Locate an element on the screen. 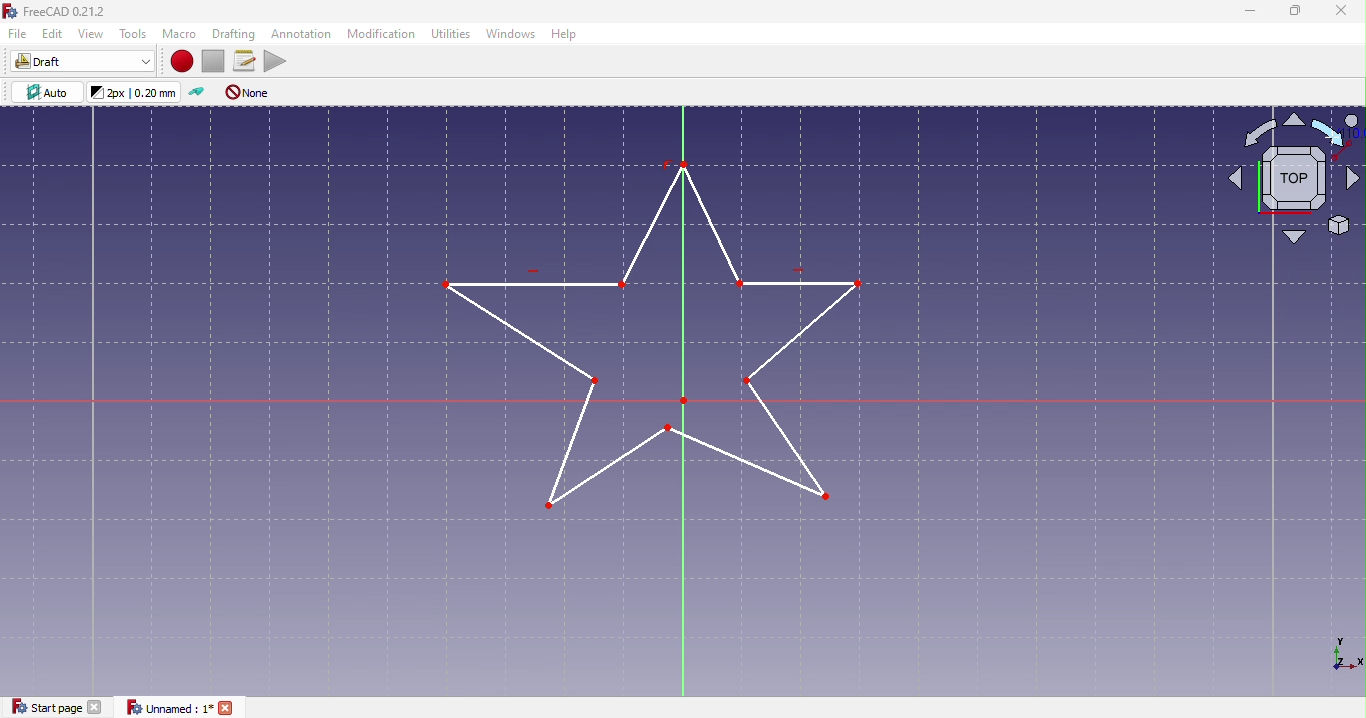 The image size is (1366, 718). Edit is located at coordinates (54, 35).